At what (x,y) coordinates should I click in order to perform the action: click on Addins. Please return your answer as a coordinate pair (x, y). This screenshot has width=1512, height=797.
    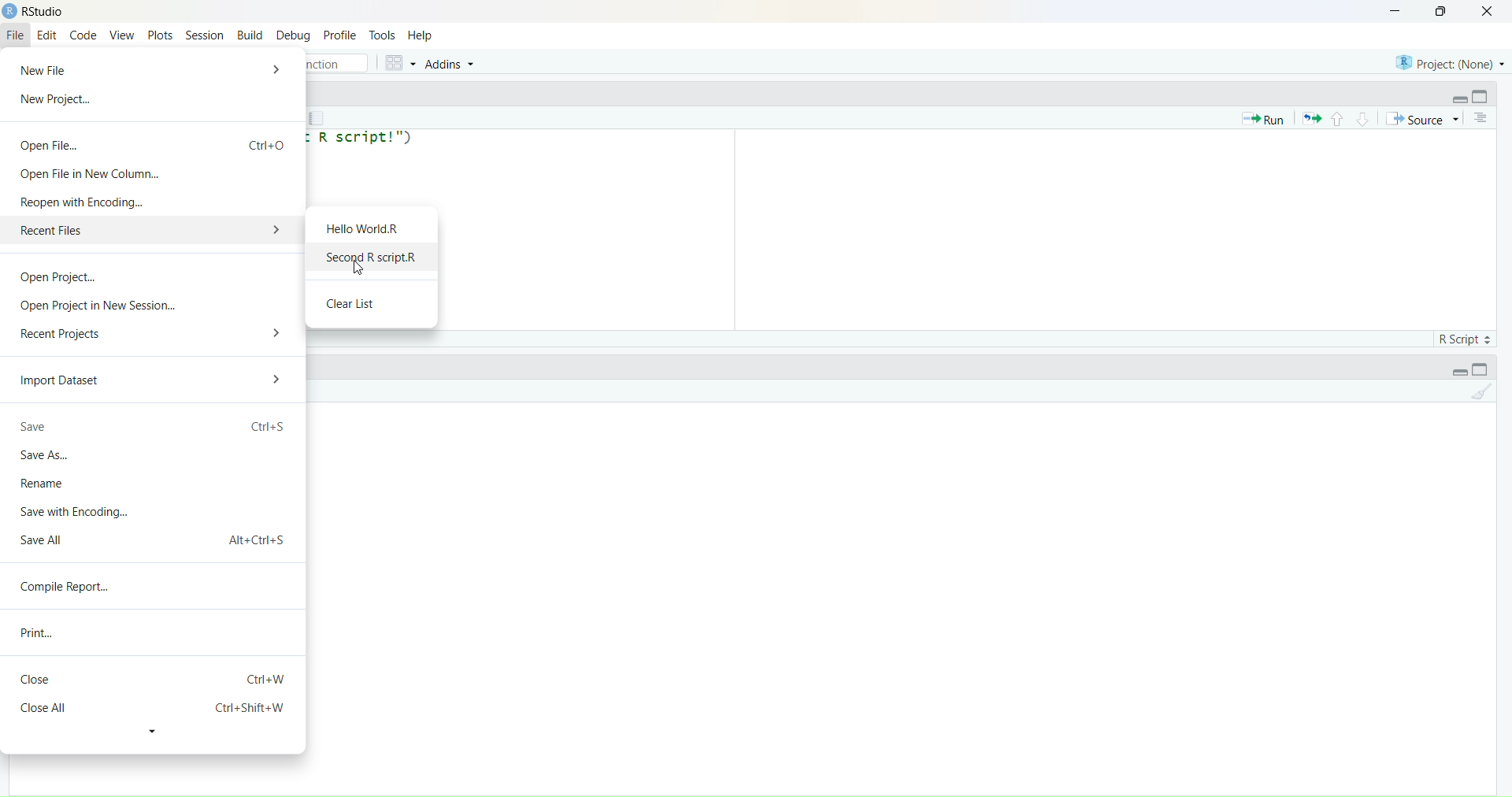
    Looking at the image, I should click on (451, 64).